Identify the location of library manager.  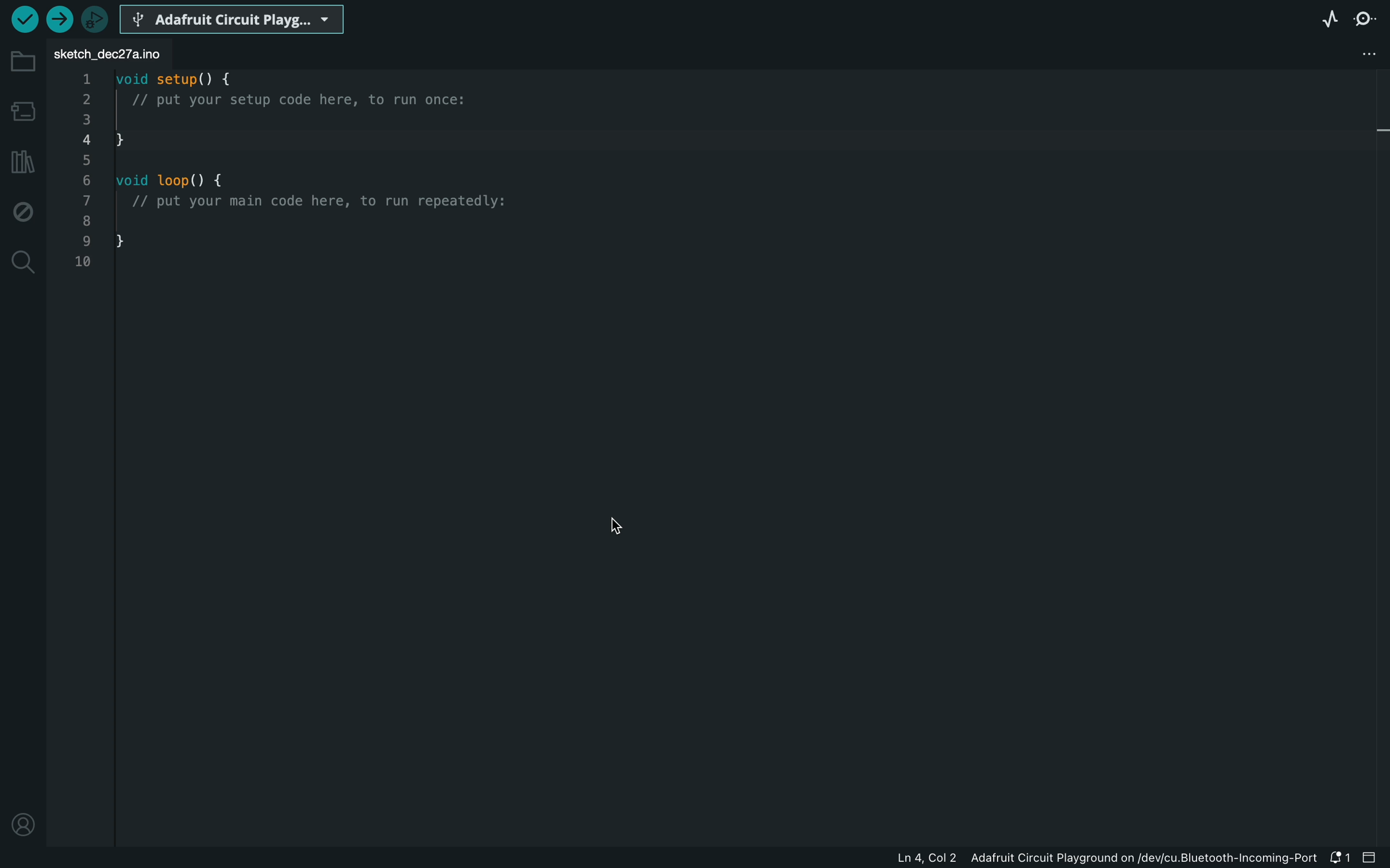
(23, 162).